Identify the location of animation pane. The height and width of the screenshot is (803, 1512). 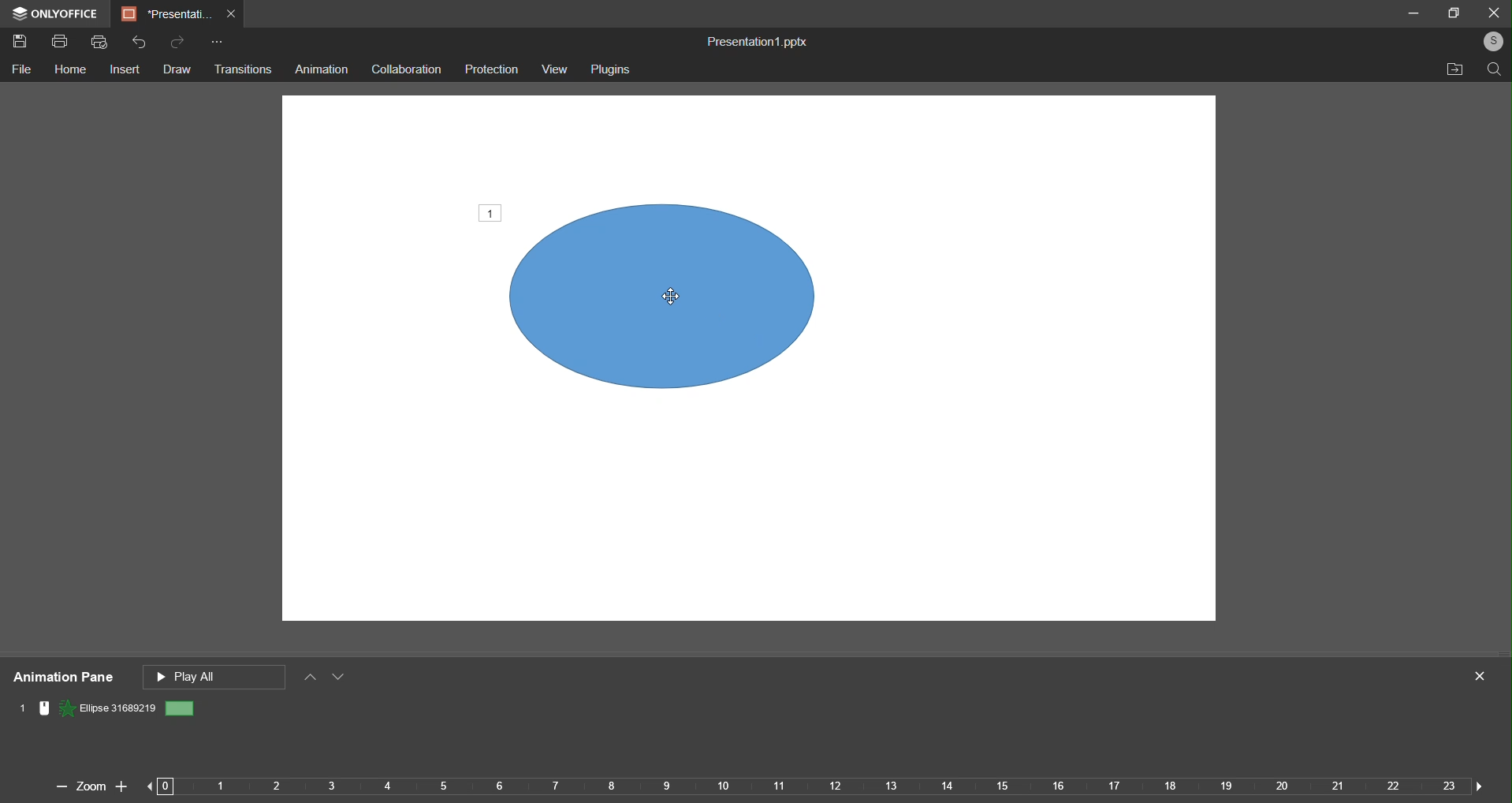
(61, 678).